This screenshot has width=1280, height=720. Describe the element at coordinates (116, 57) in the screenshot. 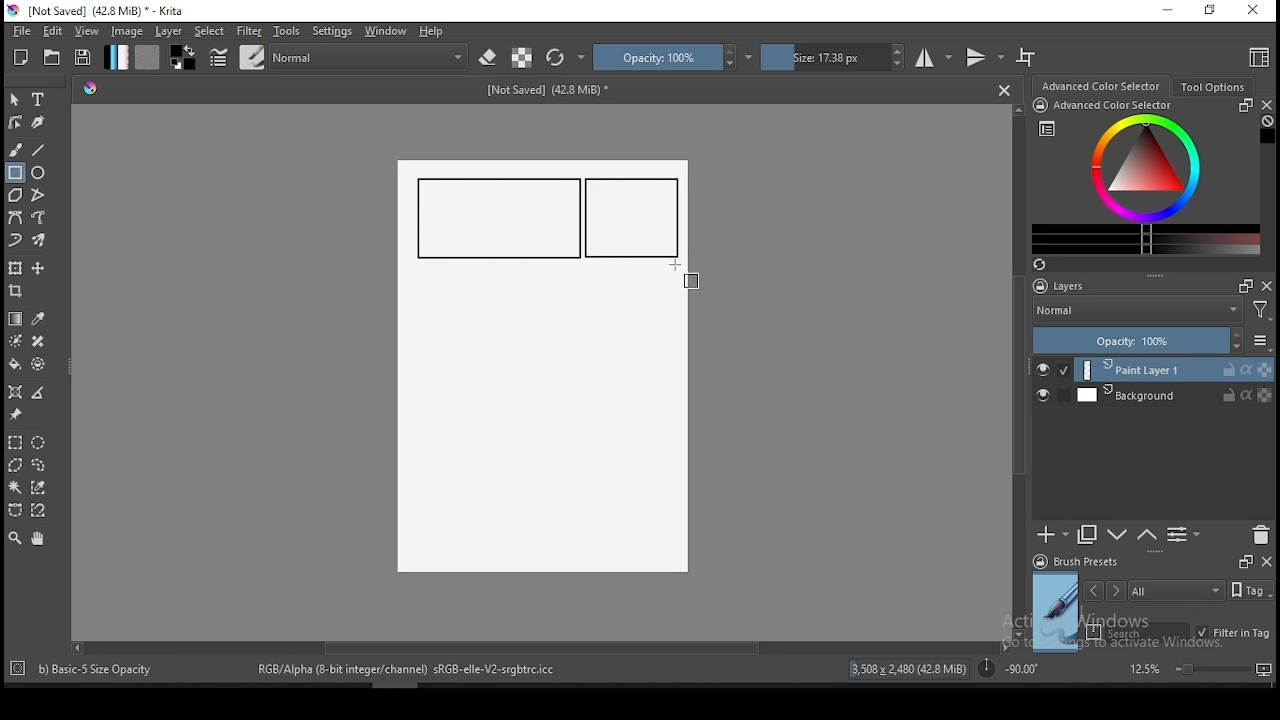

I see `gradient fill` at that location.